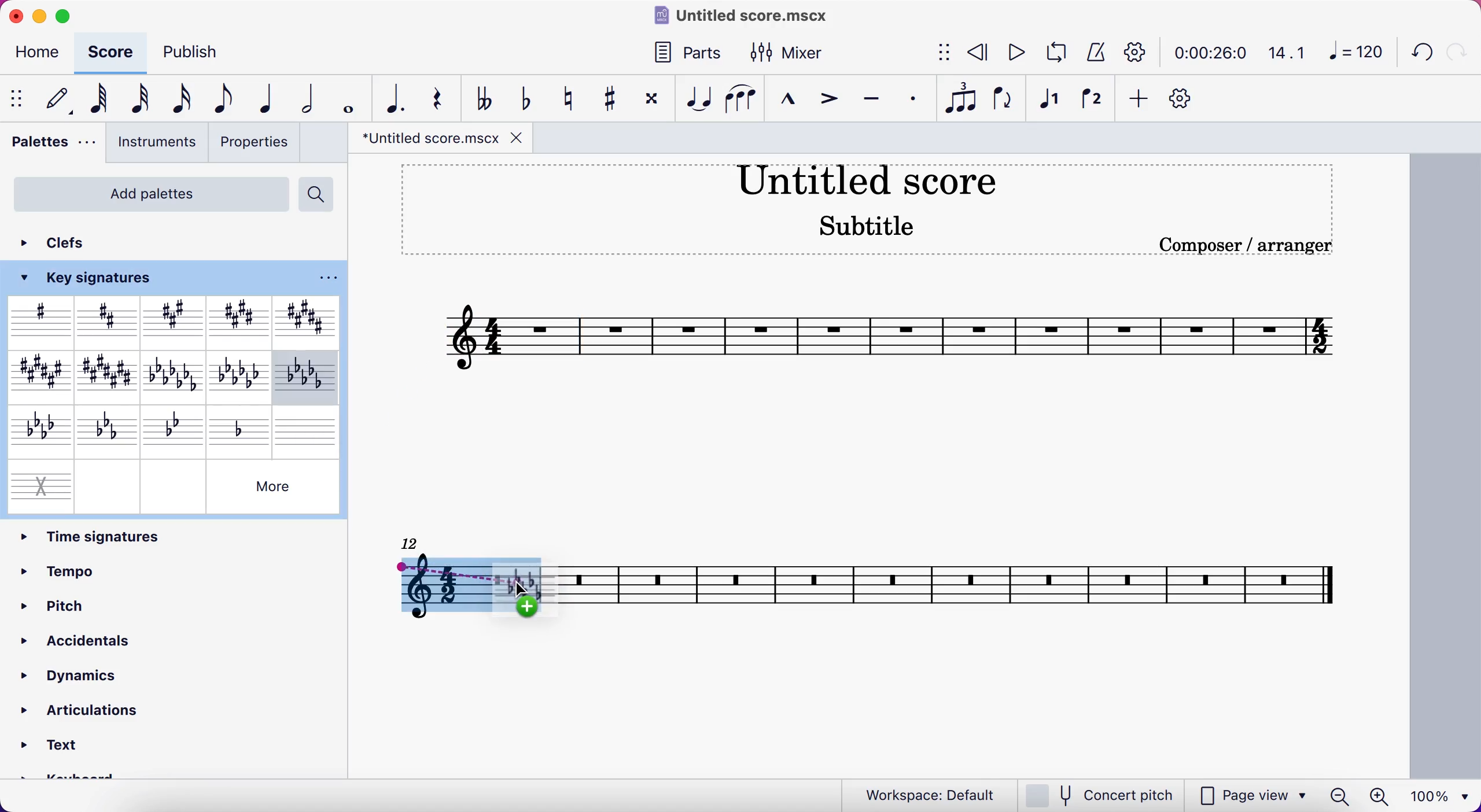 The height and width of the screenshot is (812, 1481). Describe the element at coordinates (441, 139) in the screenshot. I see `file tab` at that location.